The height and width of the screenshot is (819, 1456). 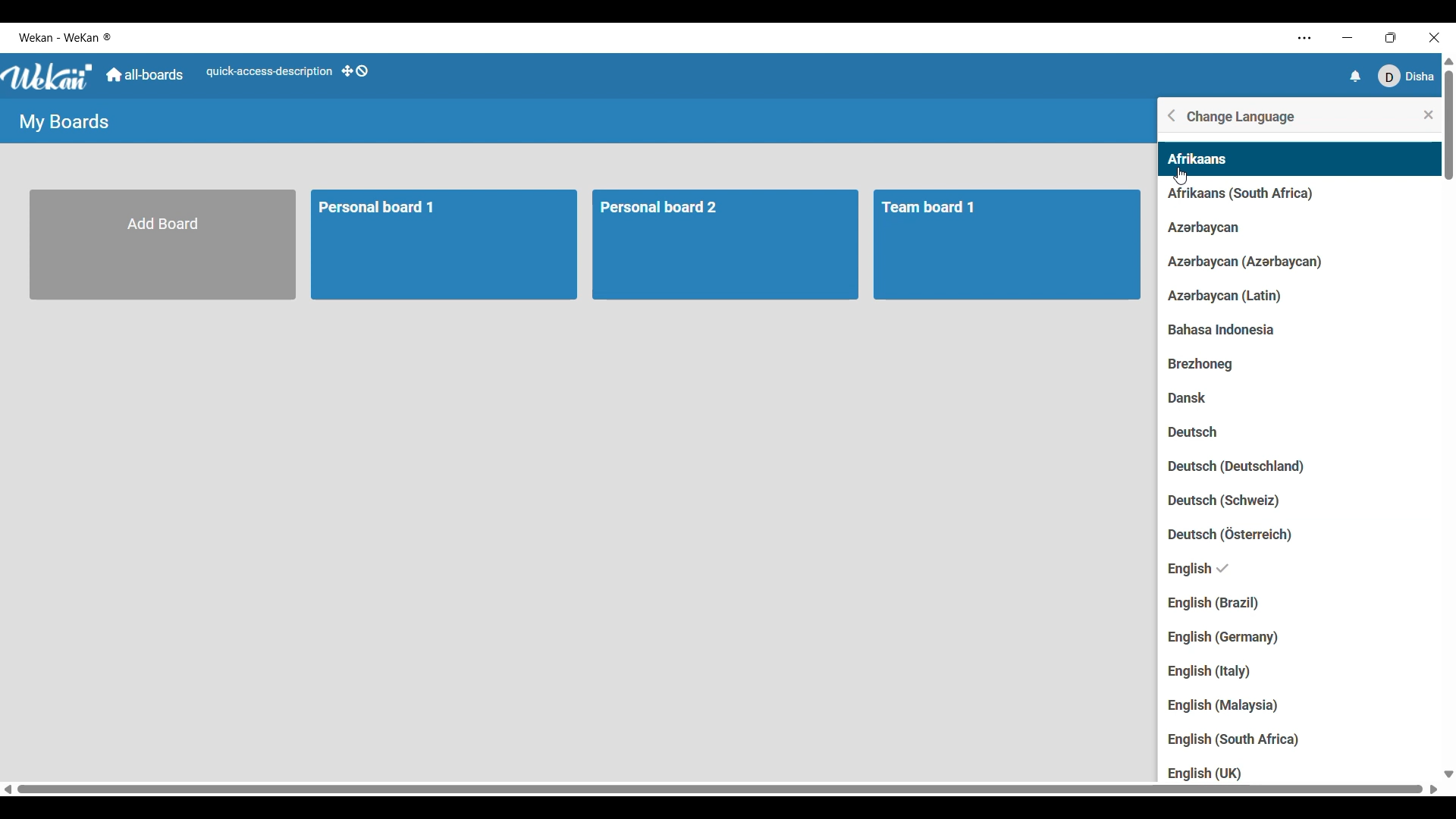 I want to click on My Boards, so click(x=64, y=122).